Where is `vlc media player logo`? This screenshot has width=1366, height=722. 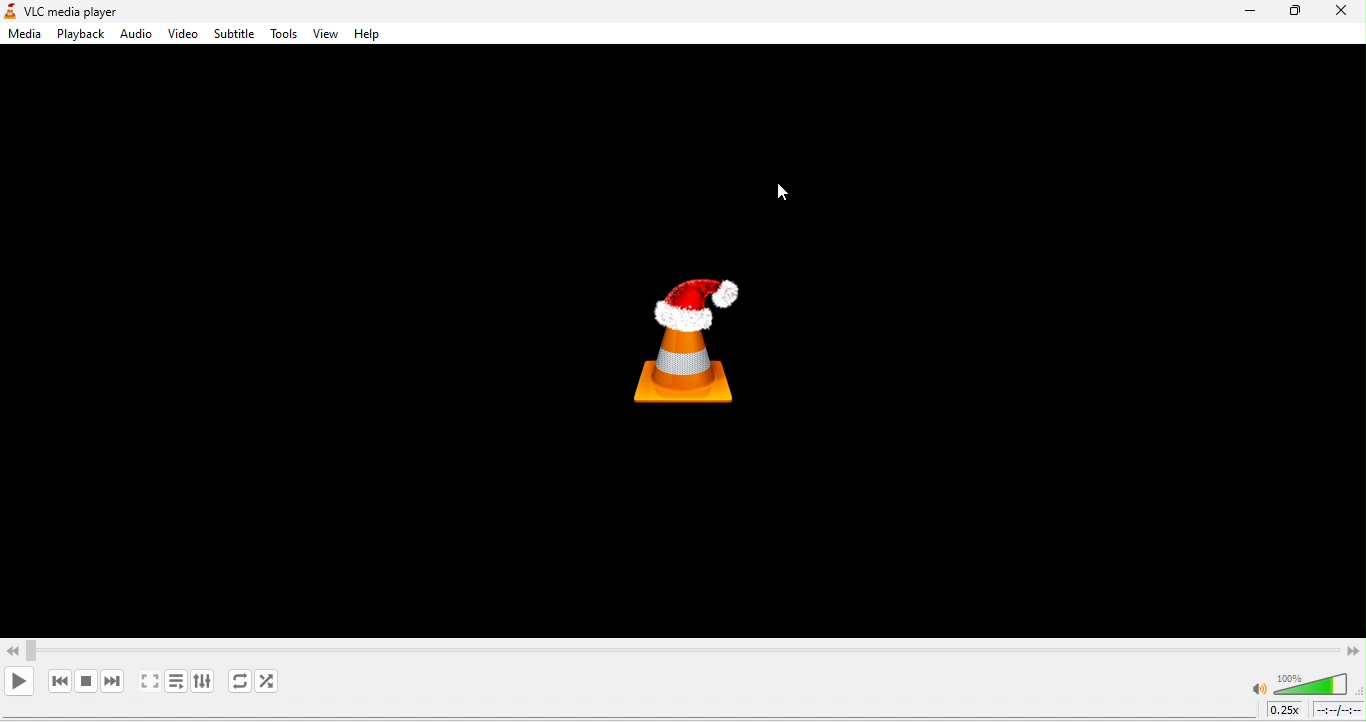 vlc media player logo is located at coordinates (689, 345).